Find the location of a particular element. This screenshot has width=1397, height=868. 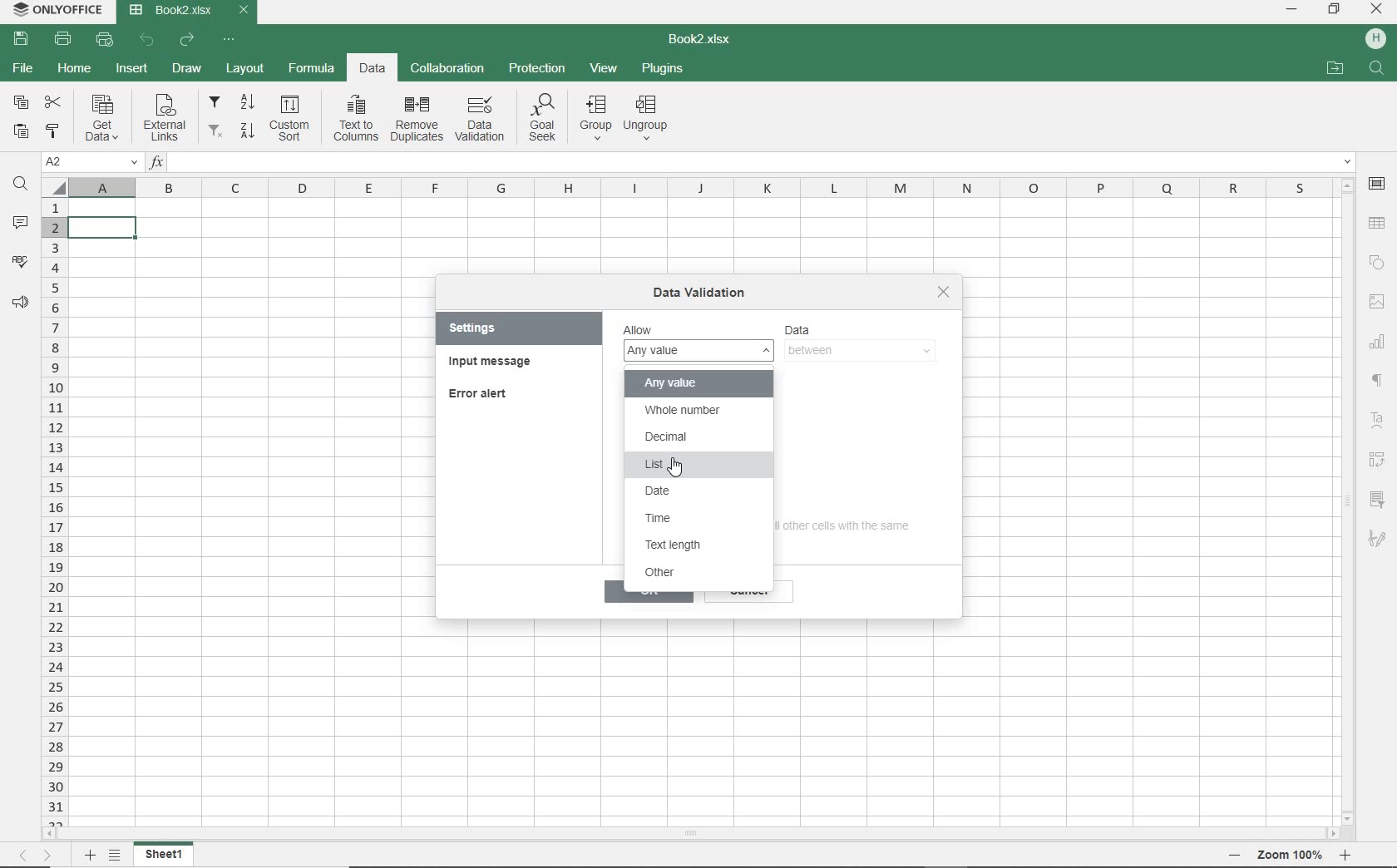

COLUMNS is located at coordinates (701, 186).